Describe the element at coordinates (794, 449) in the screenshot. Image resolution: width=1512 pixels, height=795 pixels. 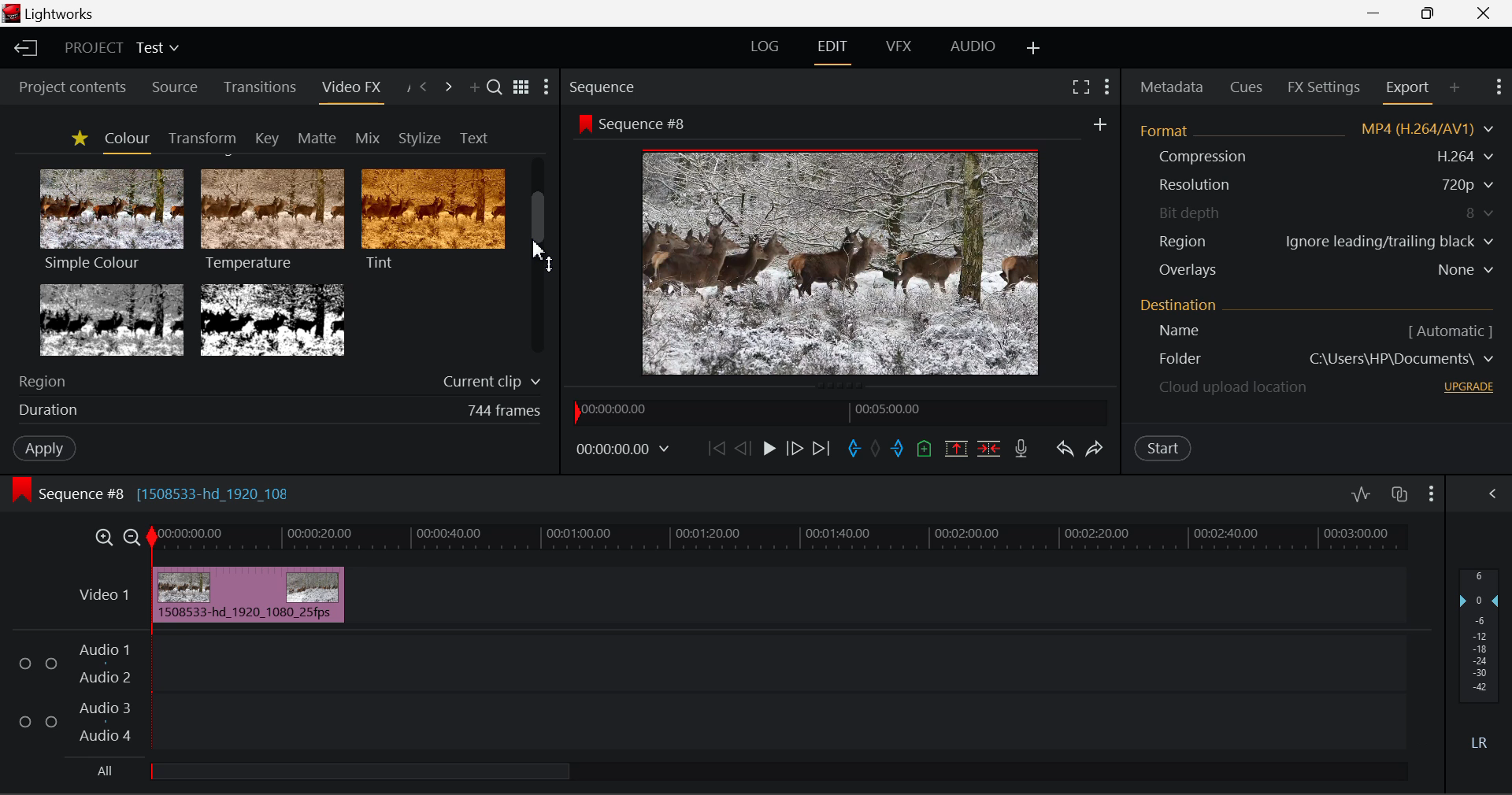
I see `Go Forward` at that location.